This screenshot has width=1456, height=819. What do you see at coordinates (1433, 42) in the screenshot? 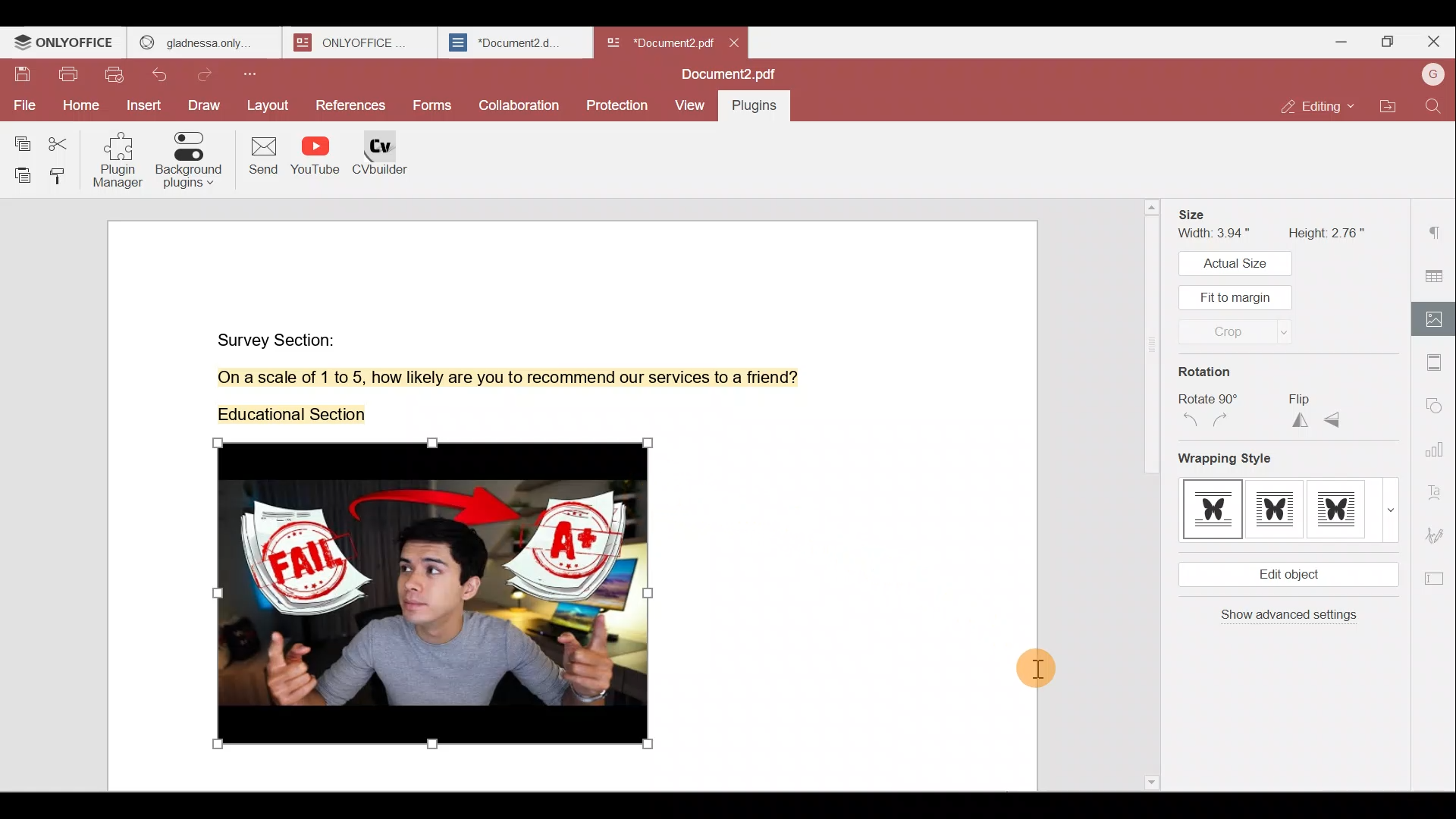
I see `Close` at bounding box center [1433, 42].